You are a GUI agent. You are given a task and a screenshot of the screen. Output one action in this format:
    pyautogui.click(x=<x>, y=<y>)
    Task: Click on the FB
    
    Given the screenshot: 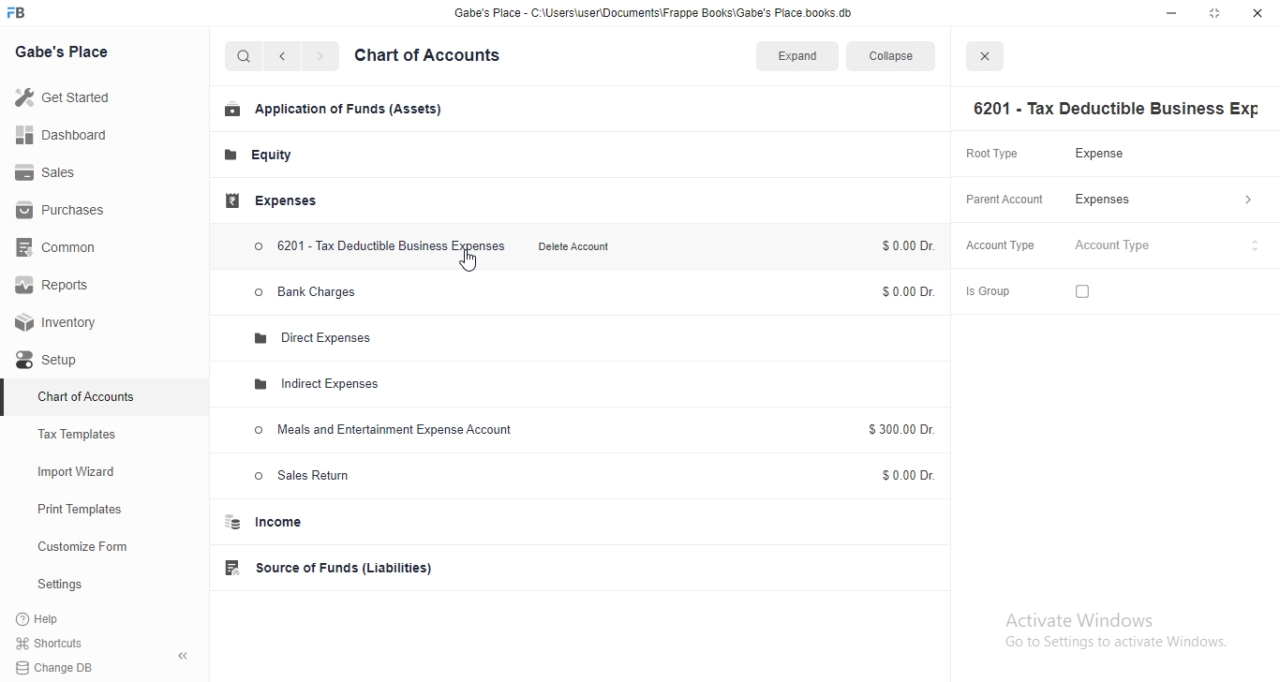 What is the action you would take?
    pyautogui.click(x=29, y=13)
    